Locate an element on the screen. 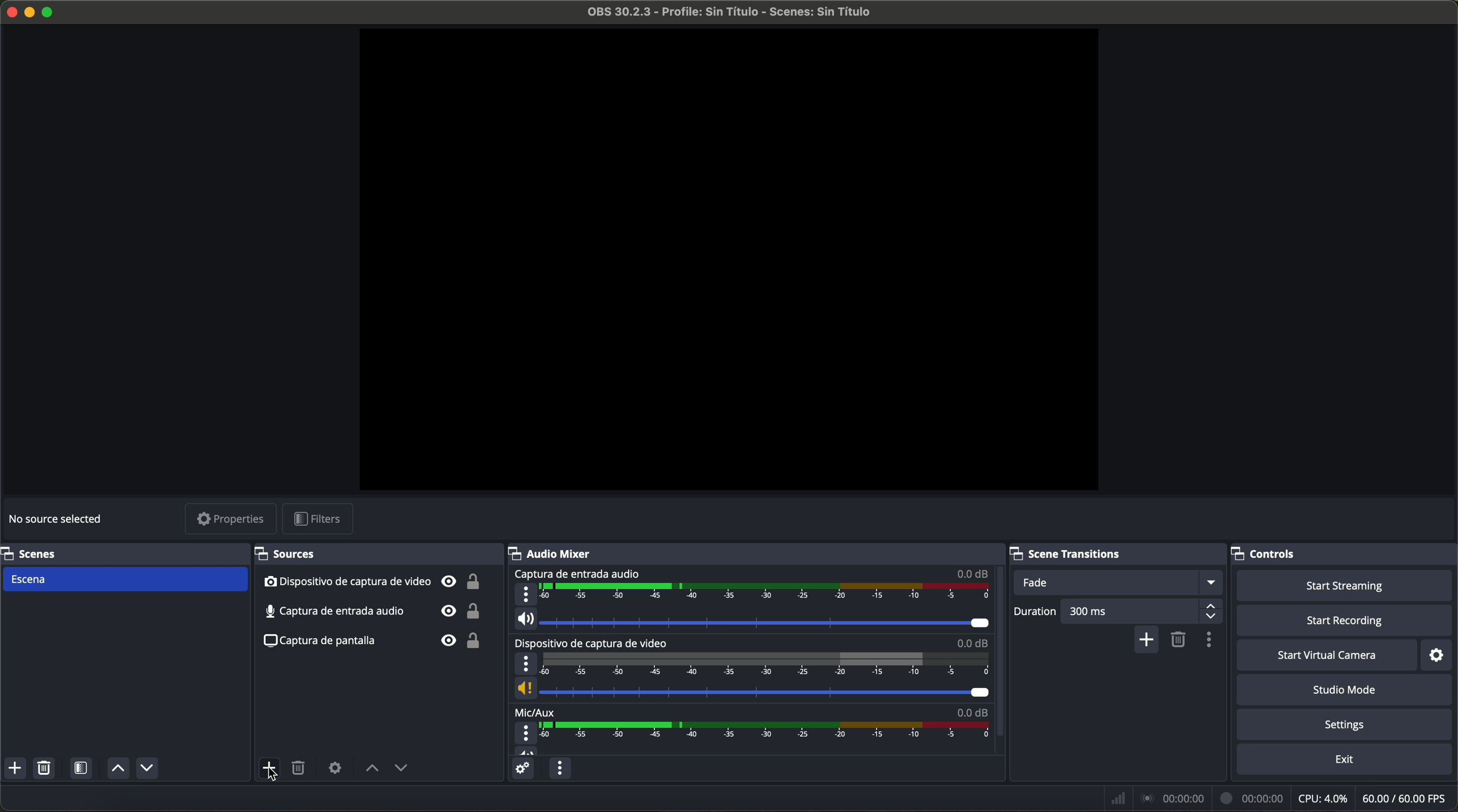  workspace is located at coordinates (729, 257).